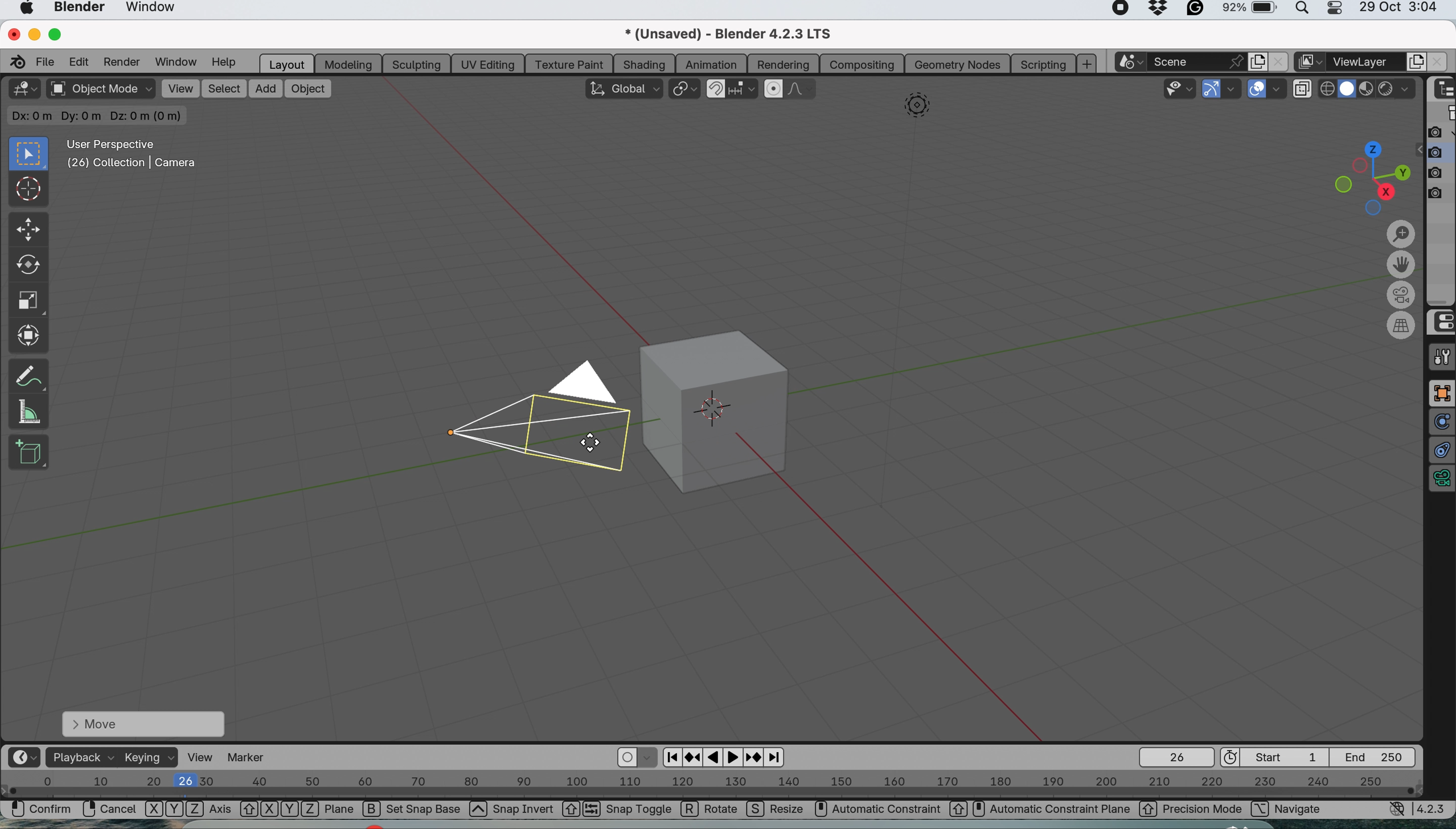  I want to click on physics, so click(1441, 422).